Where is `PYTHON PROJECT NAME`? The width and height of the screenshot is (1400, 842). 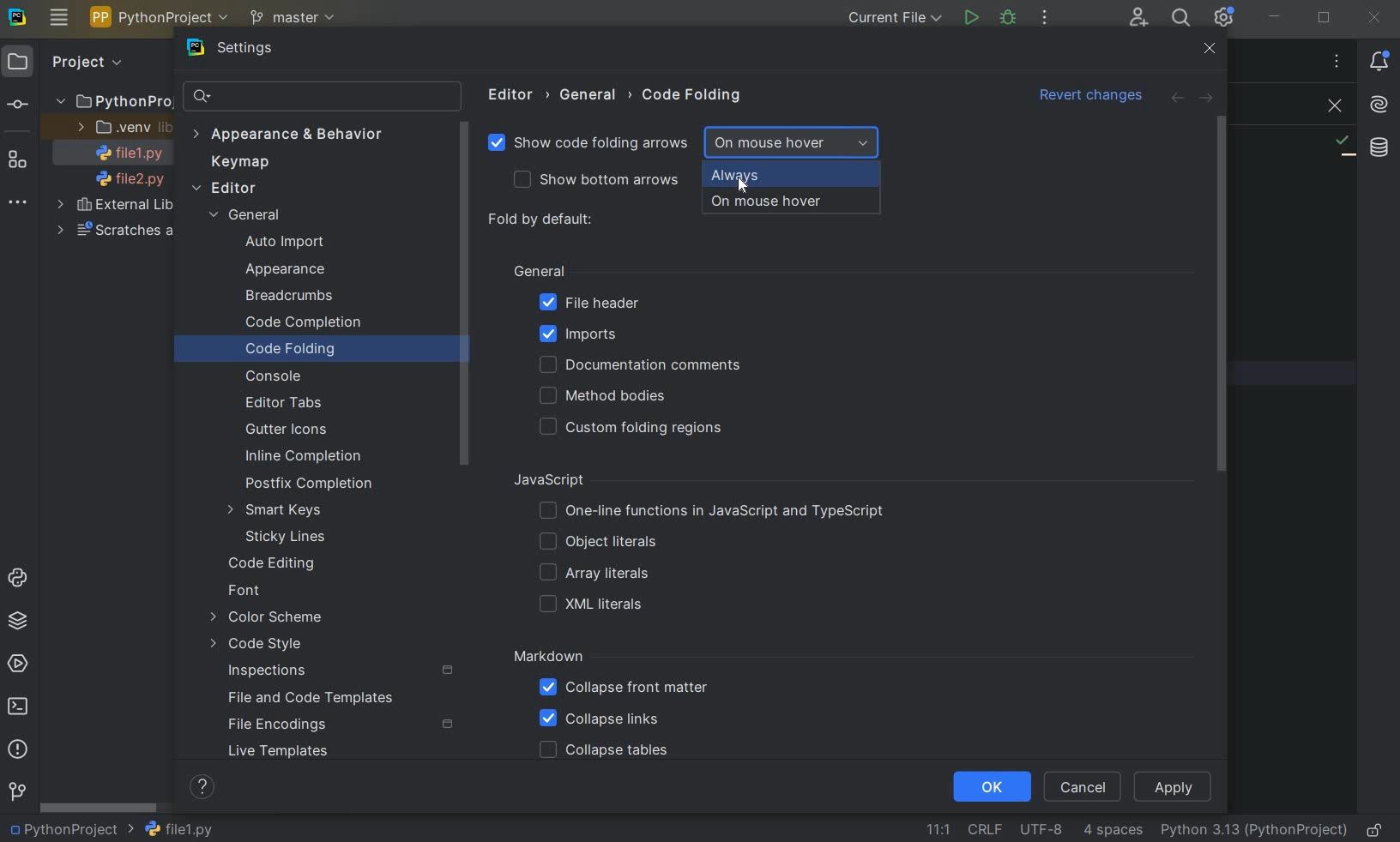 PYTHON PROJECT NAME is located at coordinates (162, 19).